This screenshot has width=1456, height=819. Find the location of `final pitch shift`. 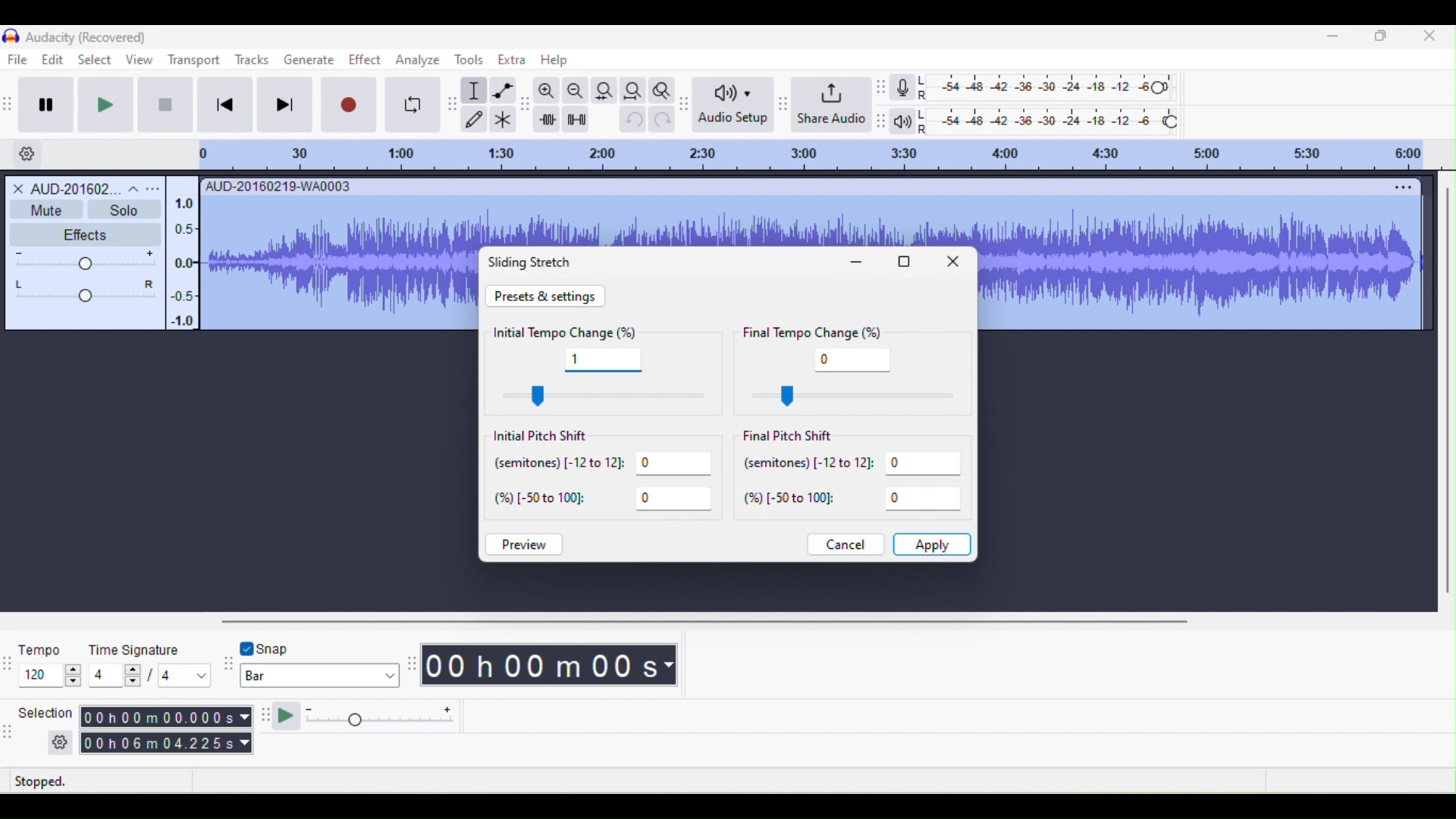

final pitch shift is located at coordinates (795, 436).